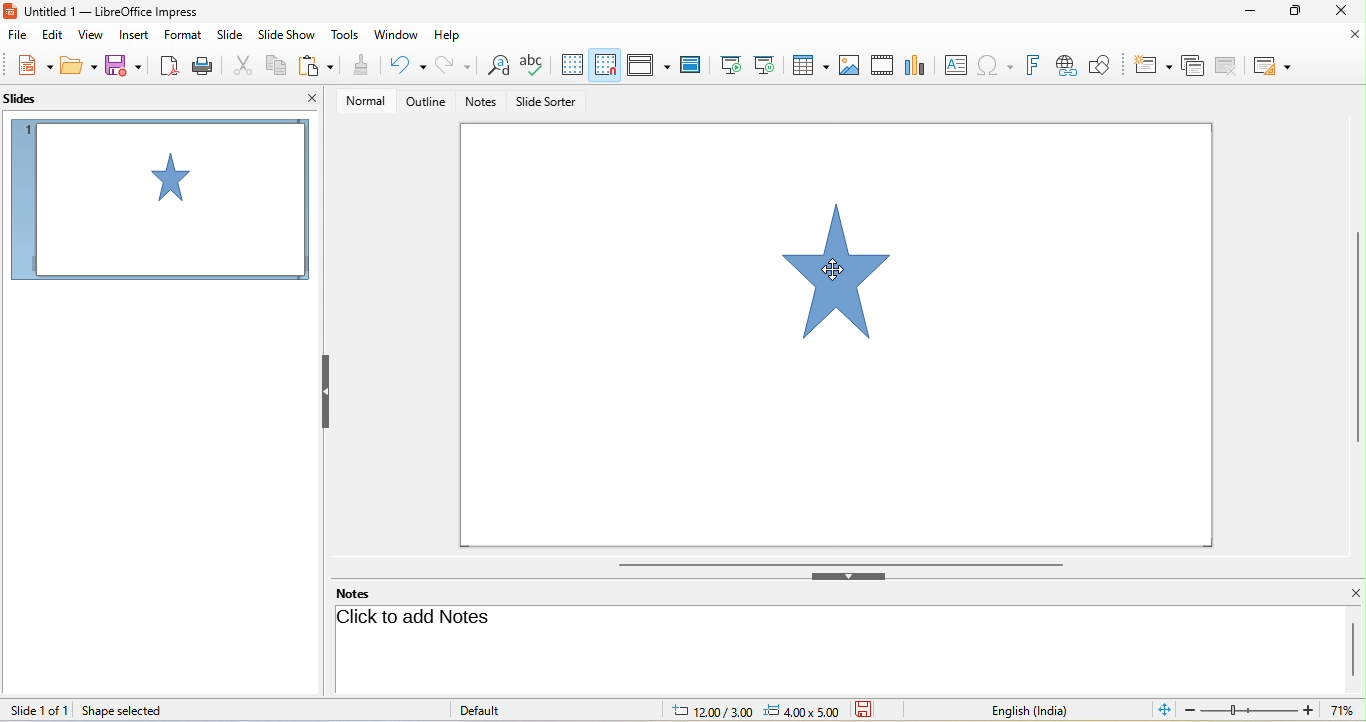  I want to click on star shape, so click(849, 280).